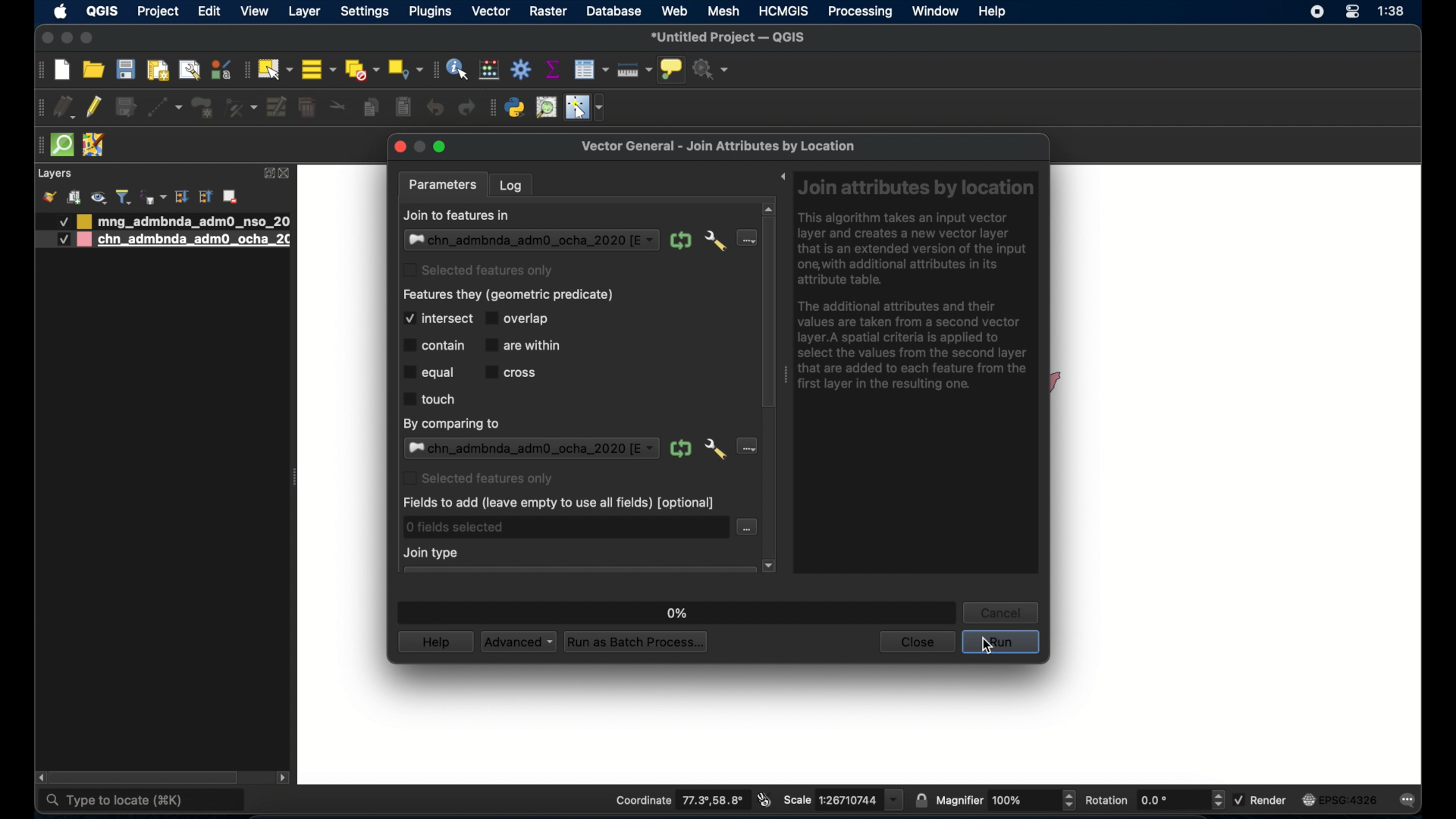 This screenshot has width=1456, height=819. What do you see at coordinates (39, 144) in the screenshot?
I see `drag handle` at bounding box center [39, 144].